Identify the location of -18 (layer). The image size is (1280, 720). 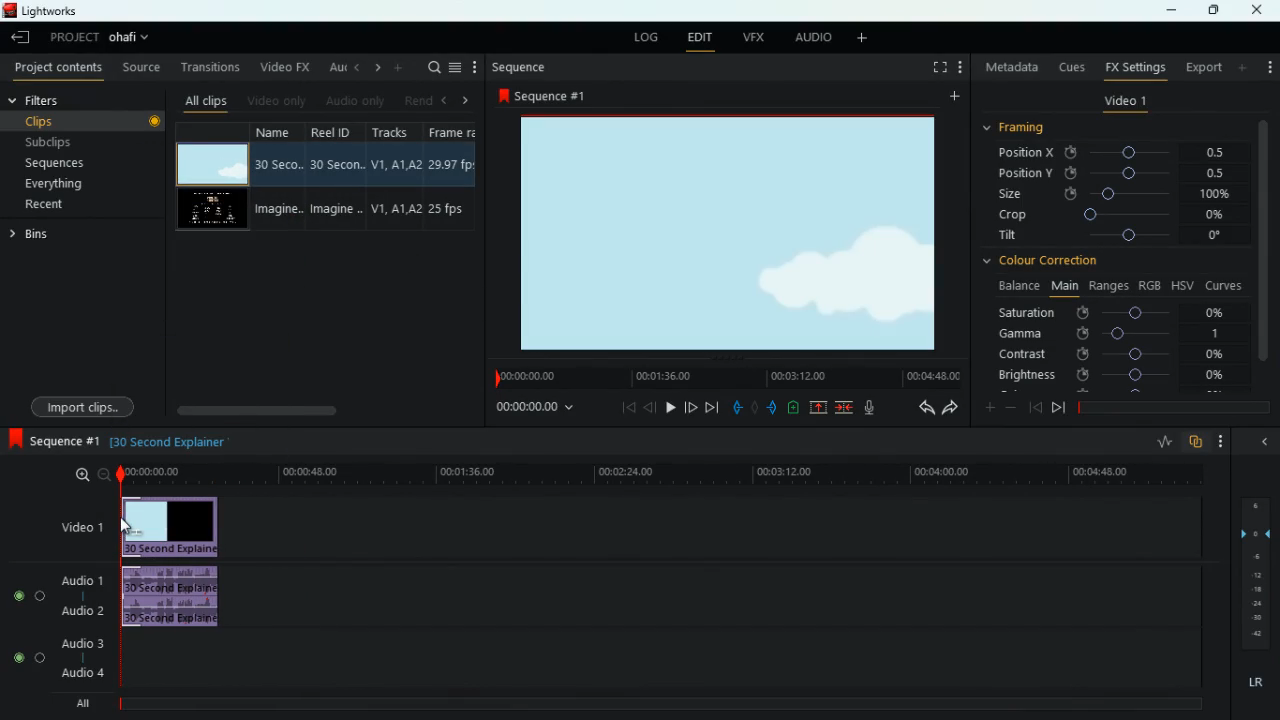
(1257, 590).